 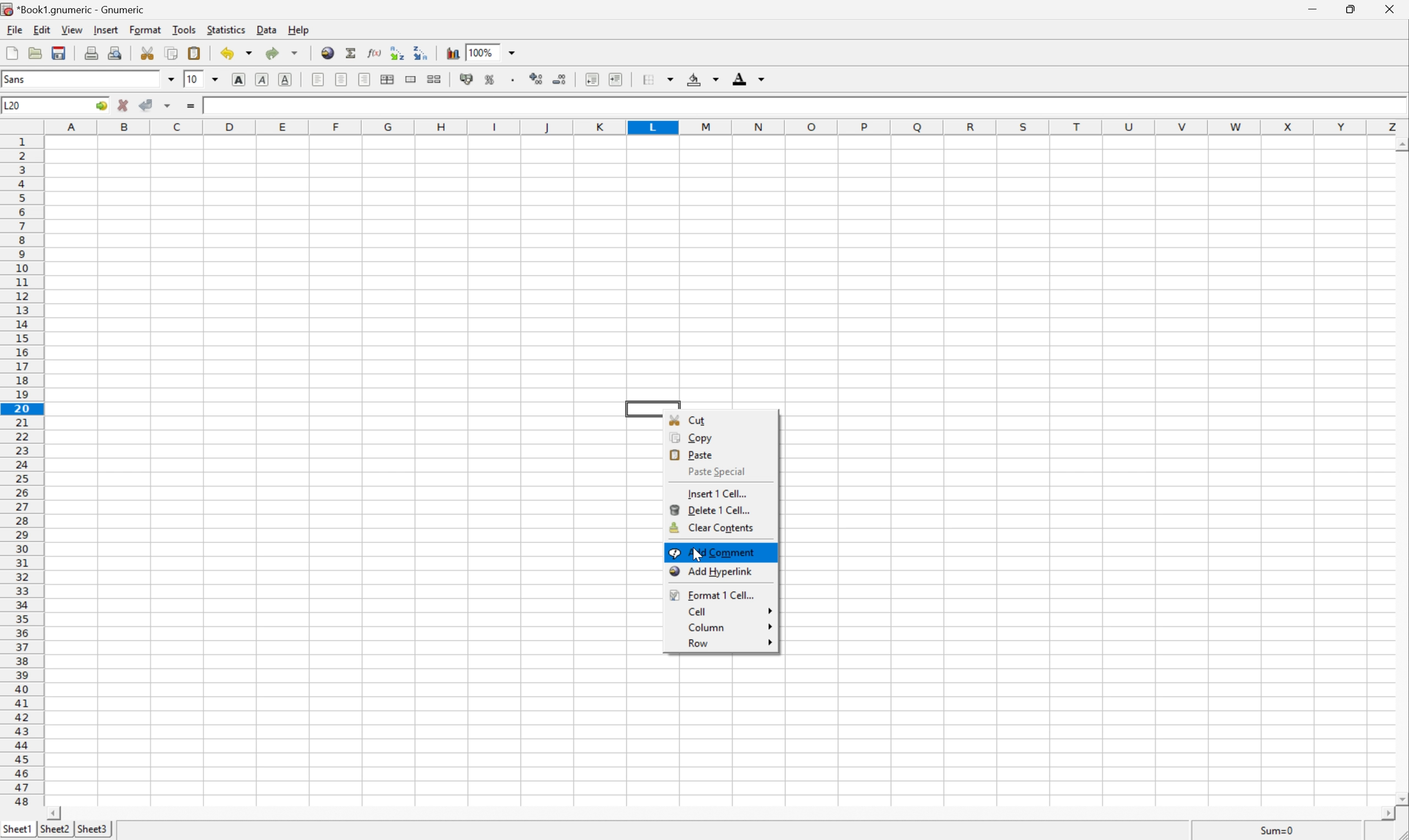 I want to click on Columns, so click(x=710, y=627).